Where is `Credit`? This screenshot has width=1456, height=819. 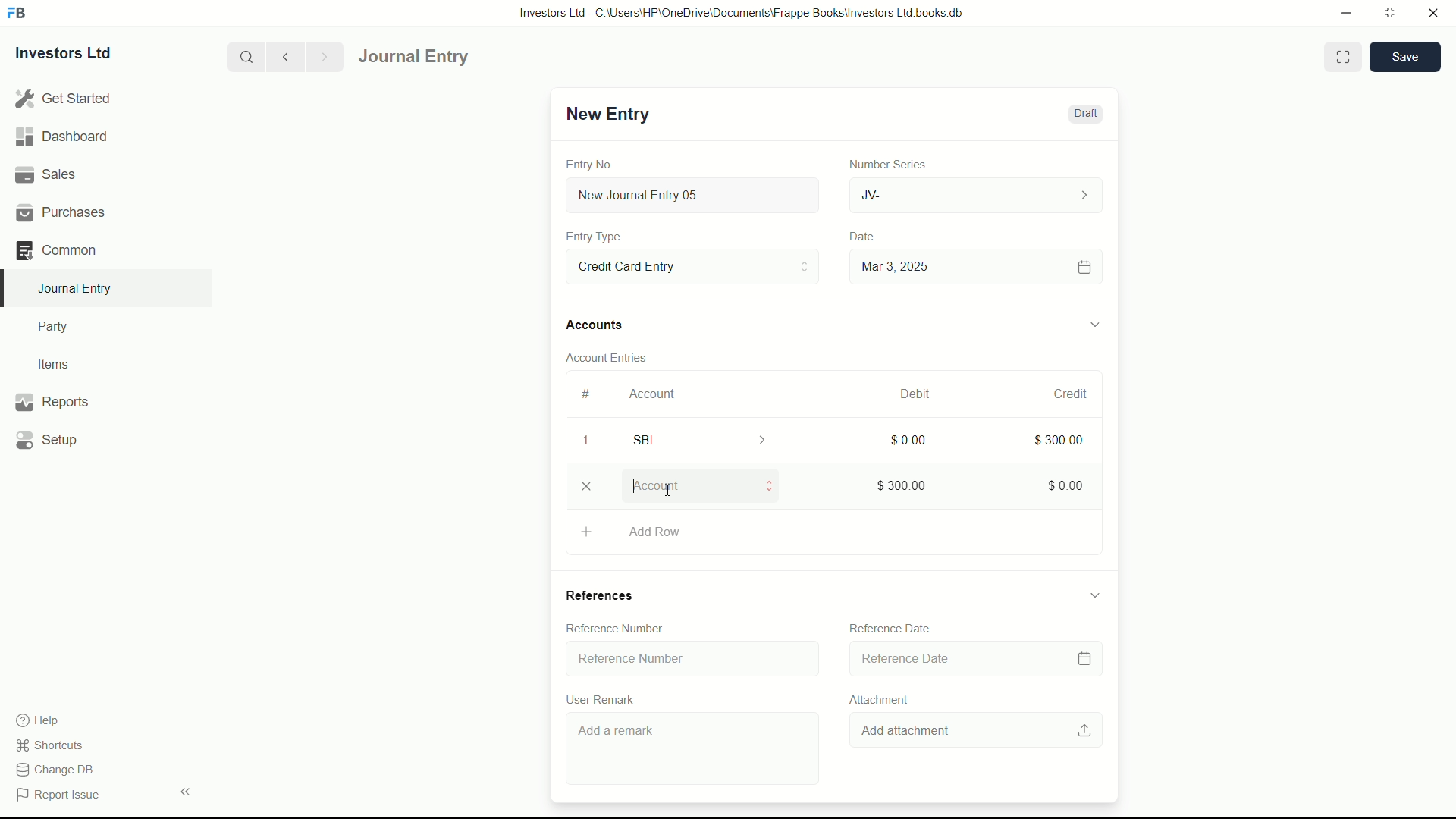
Credit is located at coordinates (1064, 394).